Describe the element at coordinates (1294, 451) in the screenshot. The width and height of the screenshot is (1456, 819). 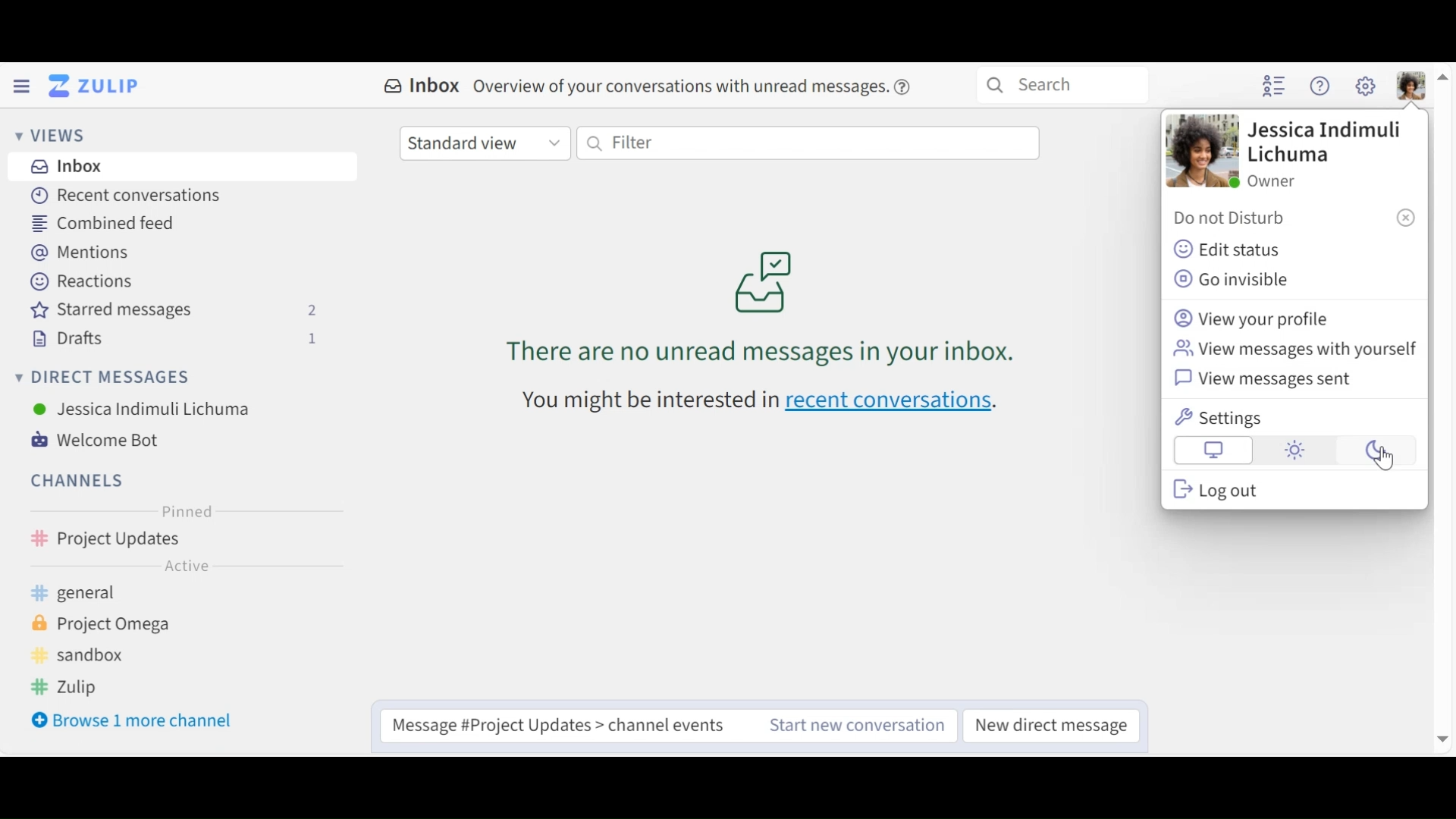
I see `Light theme` at that location.